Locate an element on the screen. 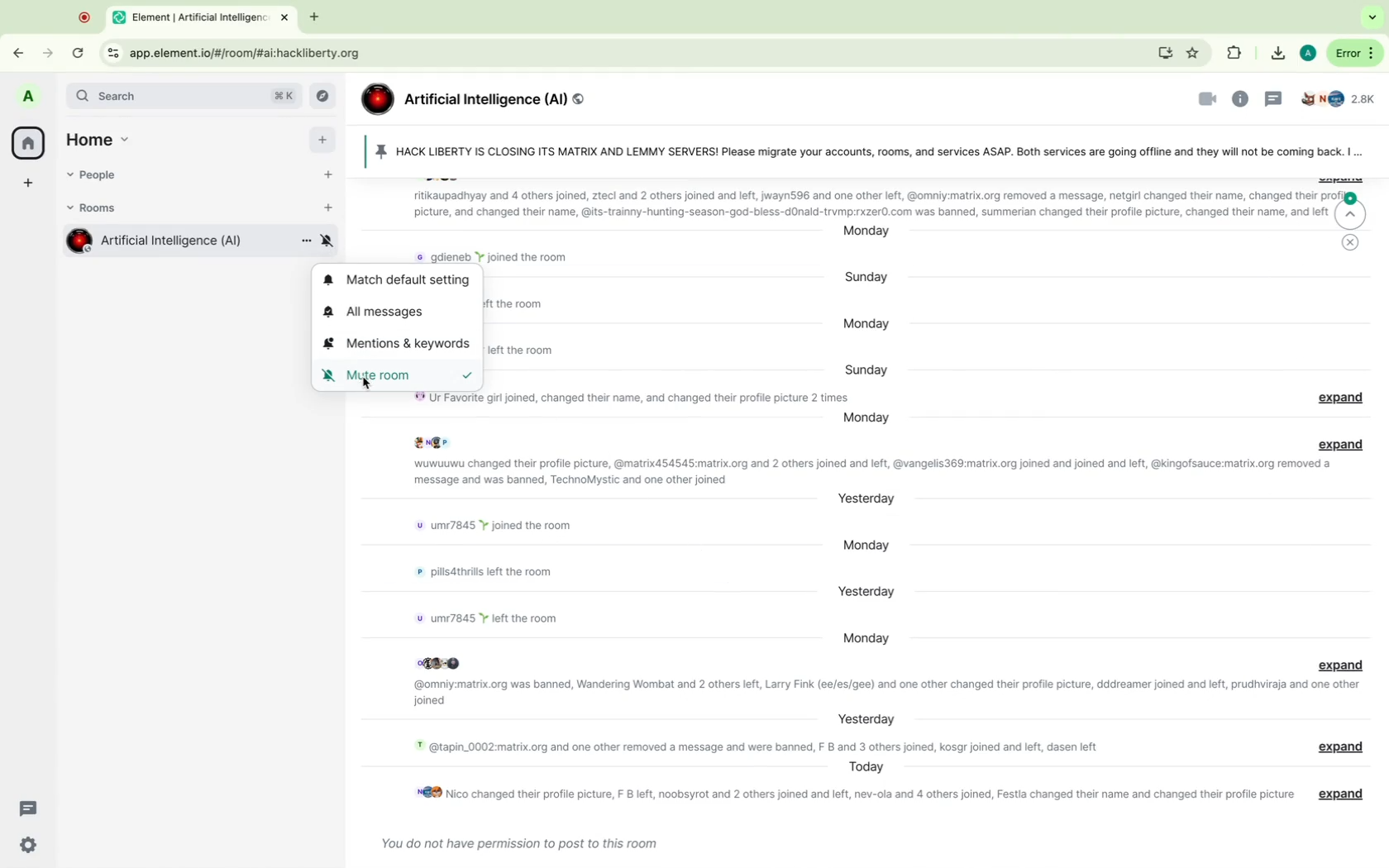 The height and width of the screenshot is (868, 1389). close tab is located at coordinates (288, 18).